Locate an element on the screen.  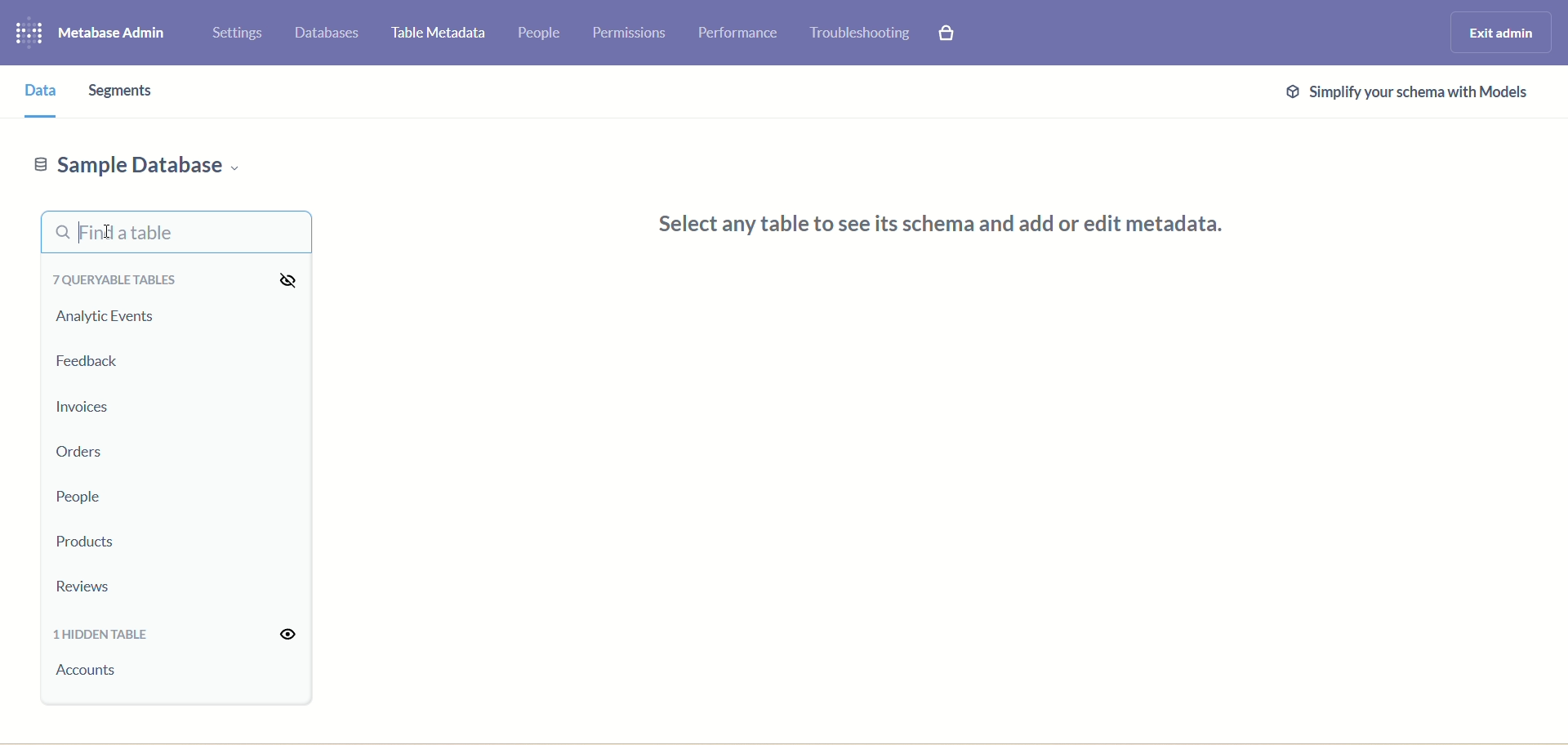
paid features is located at coordinates (948, 38).